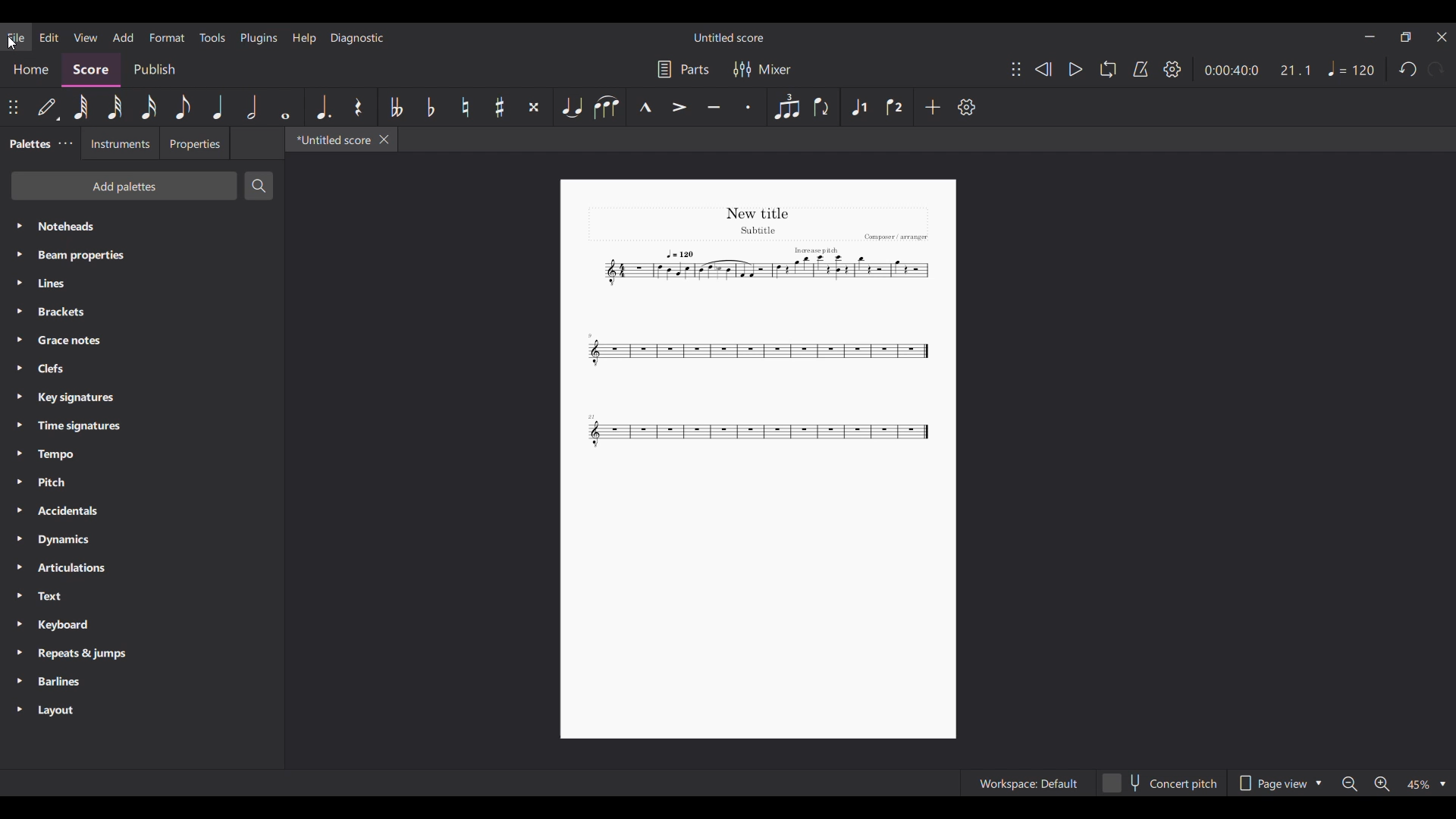 This screenshot has height=819, width=1456. What do you see at coordinates (143, 397) in the screenshot?
I see `Key signatures` at bounding box center [143, 397].